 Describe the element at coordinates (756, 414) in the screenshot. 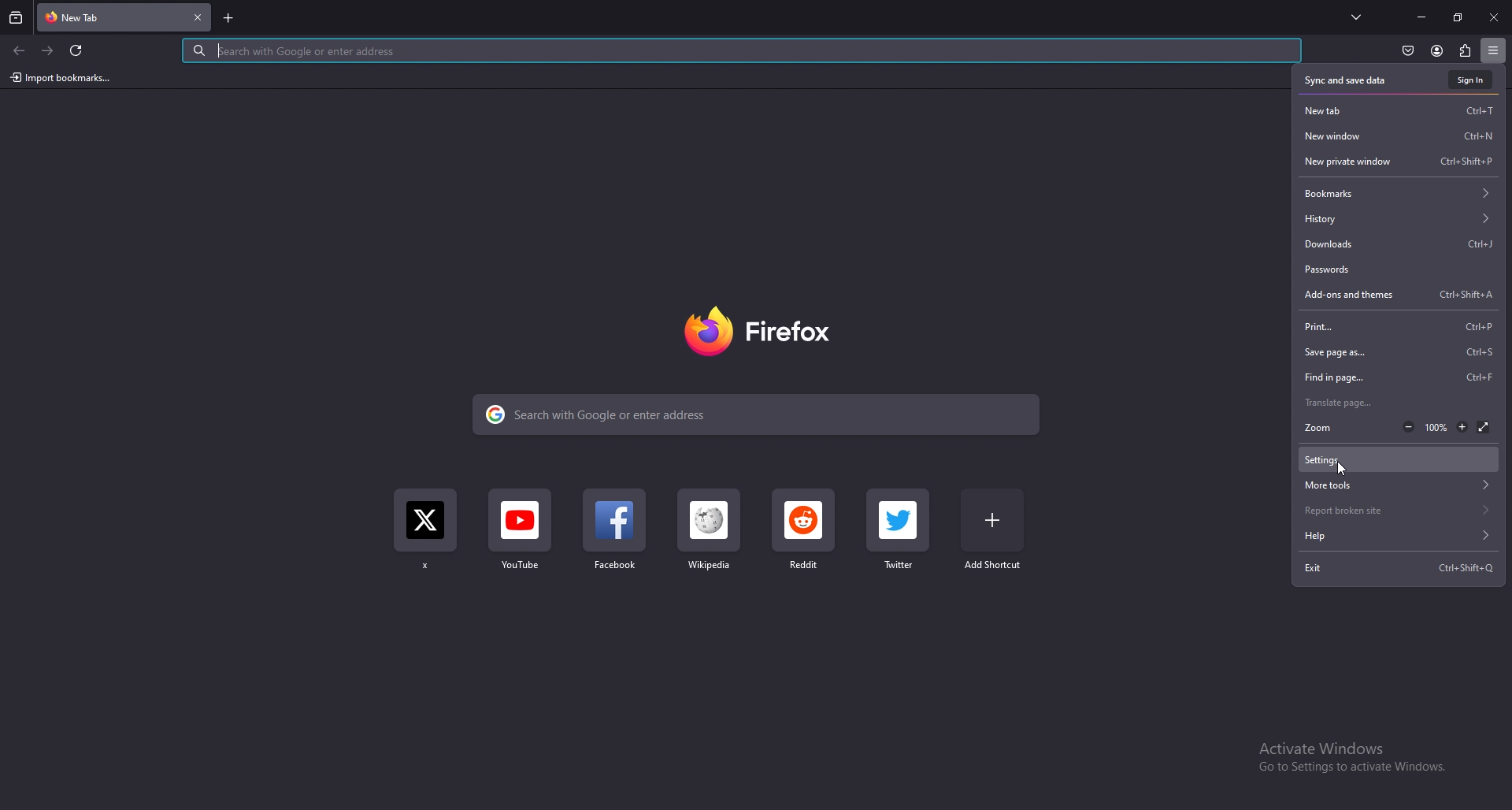

I see `search bar` at that location.